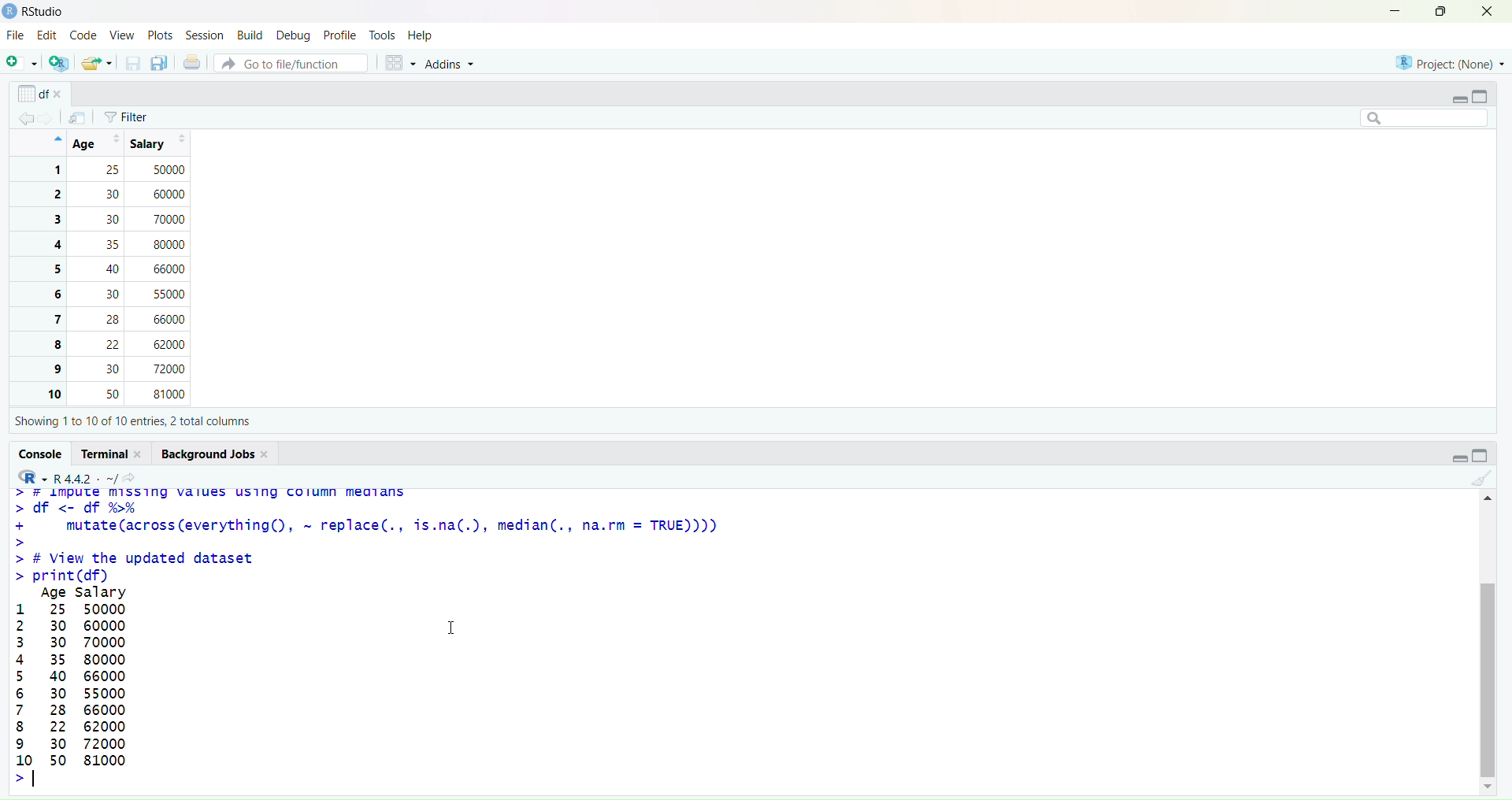  What do you see at coordinates (401, 65) in the screenshot?
I see `workspace panes` at bounding box center [401, 65].